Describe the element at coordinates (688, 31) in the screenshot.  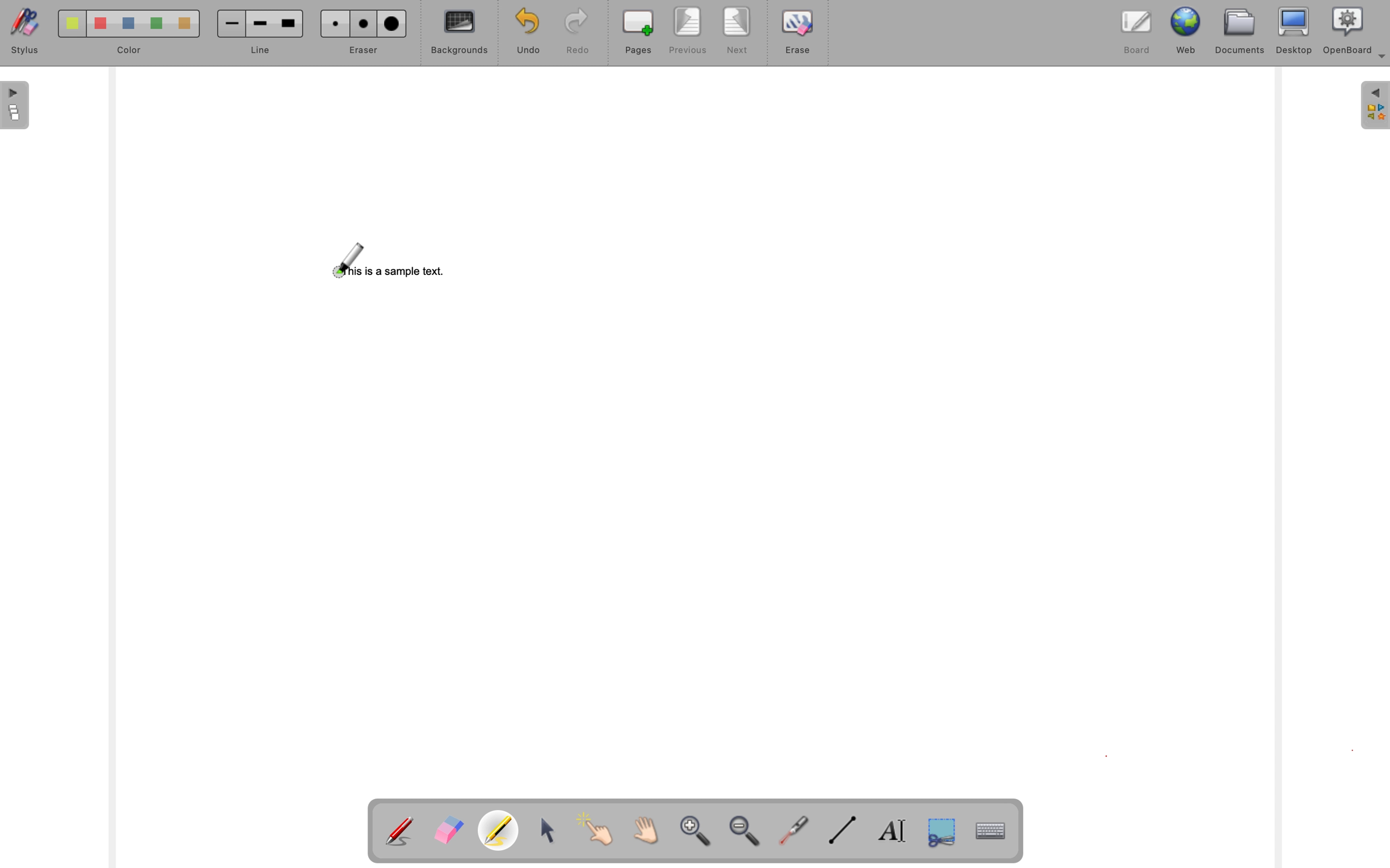
I see `previous` at that location.